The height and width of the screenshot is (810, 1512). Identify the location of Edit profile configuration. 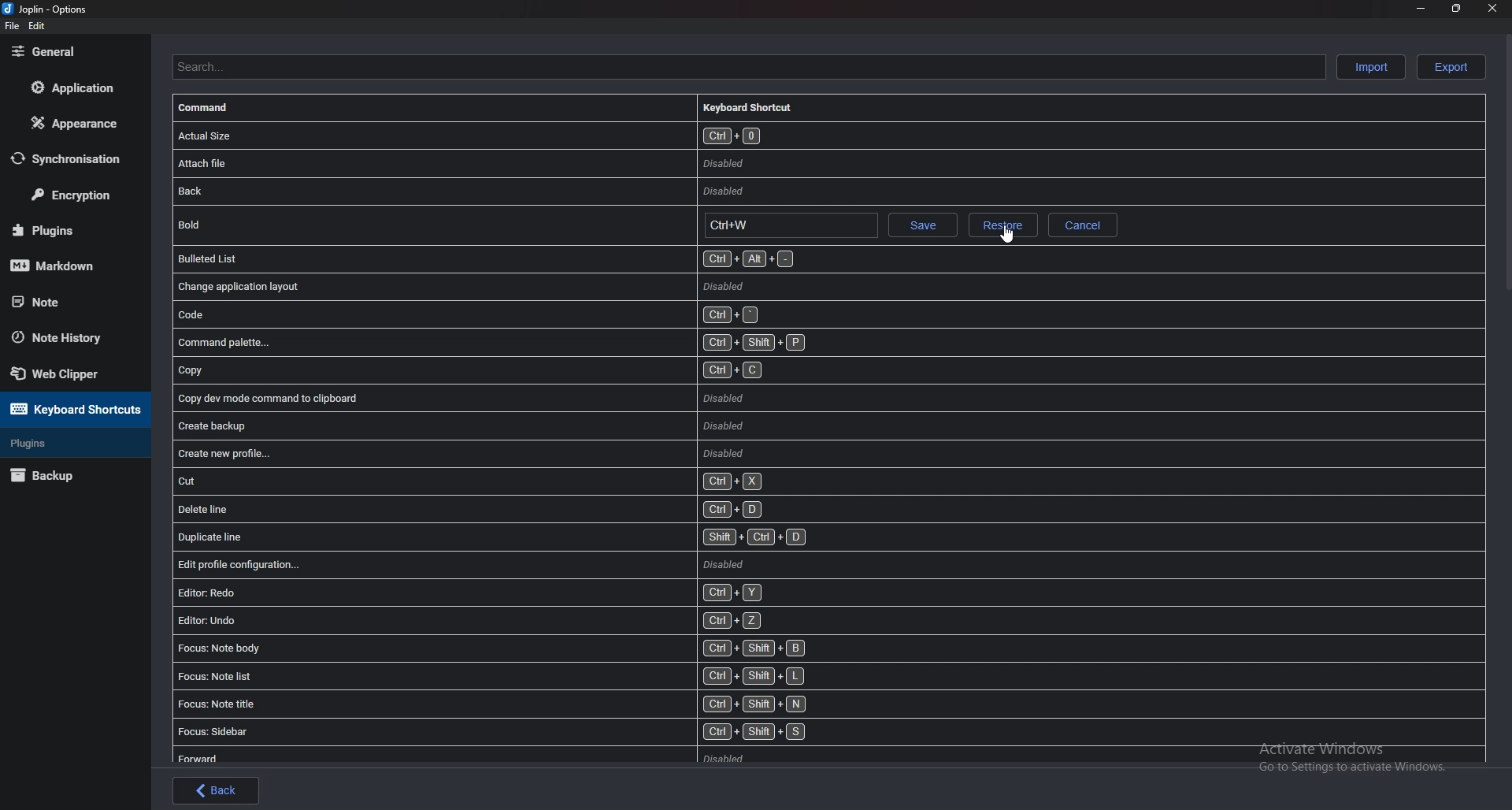
(461, 564).